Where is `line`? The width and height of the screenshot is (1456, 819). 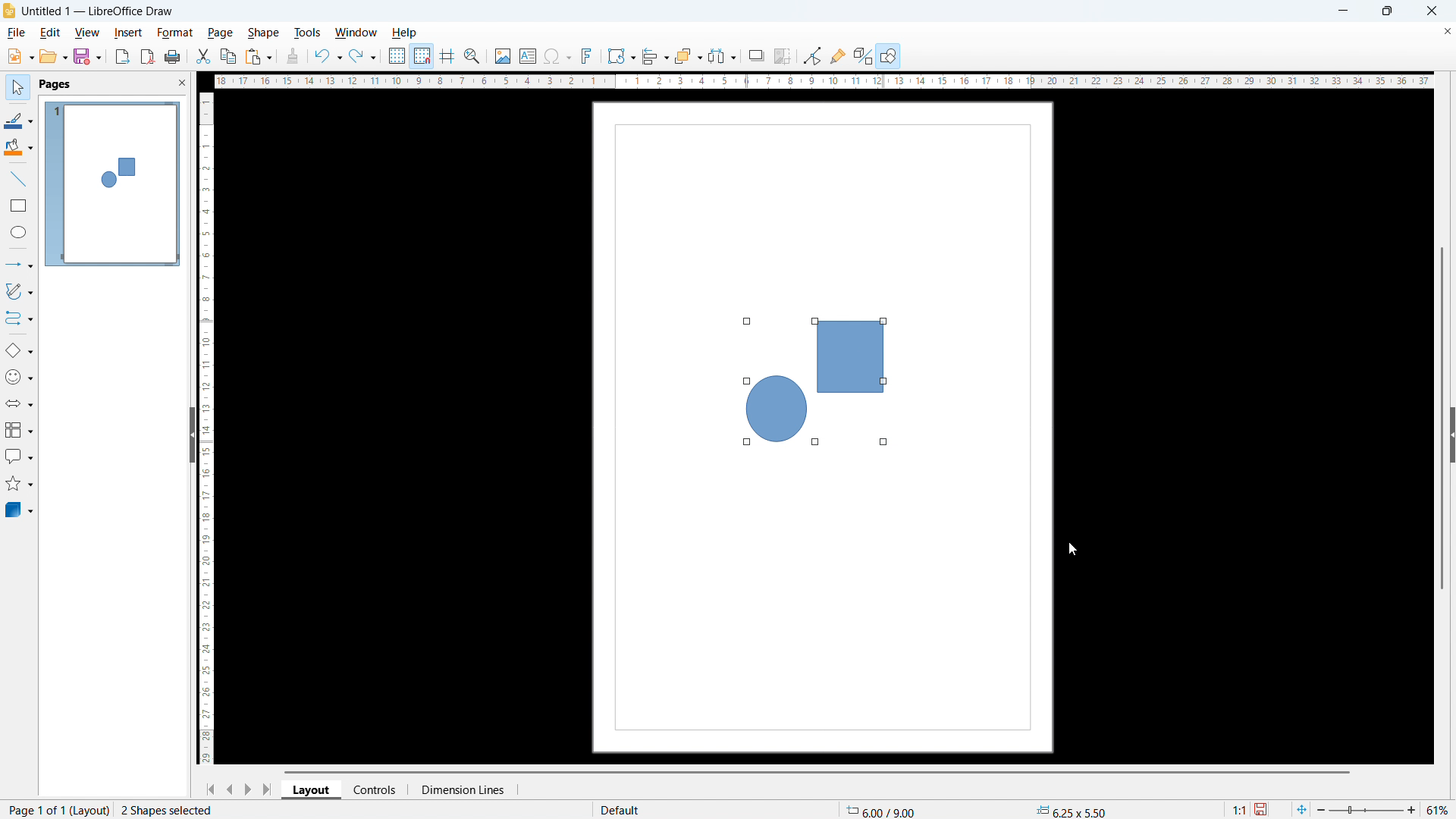 line is located at coordinates (19, 179).